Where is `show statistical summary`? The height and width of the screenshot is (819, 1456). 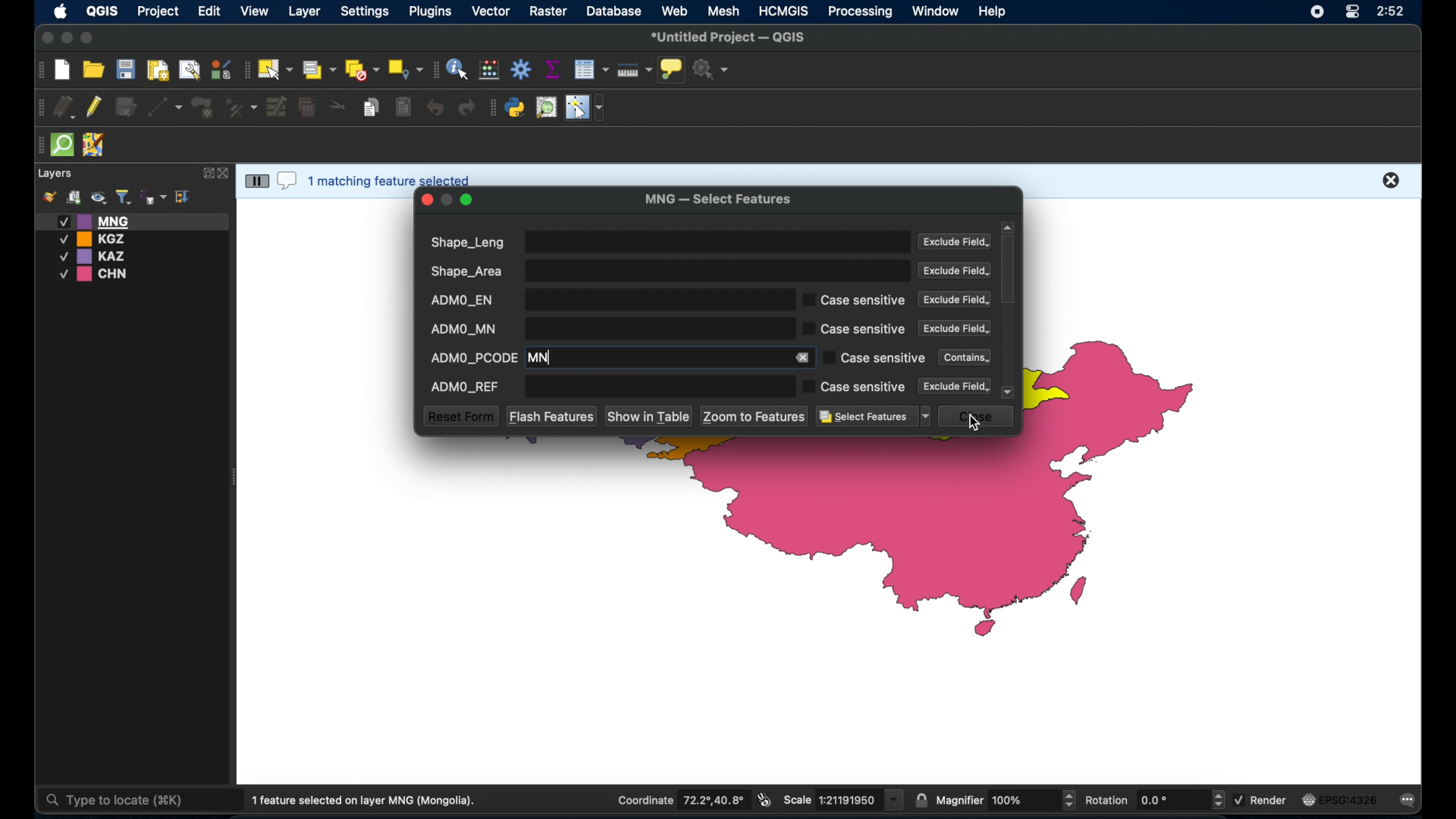
show statistical summary is located at coordinates (552, 69).